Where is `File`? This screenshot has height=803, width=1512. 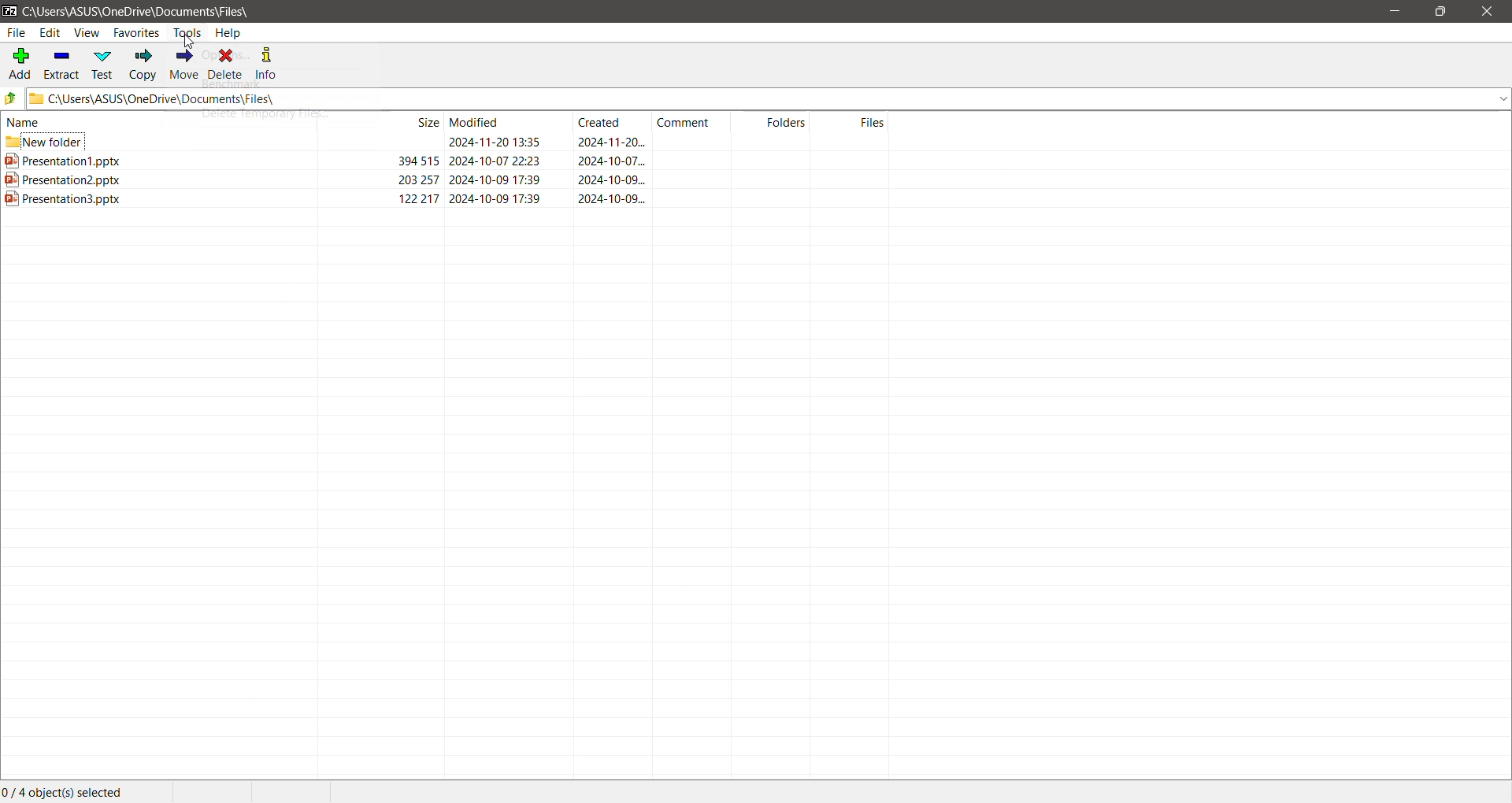
File is located at coordinates (17, 33).